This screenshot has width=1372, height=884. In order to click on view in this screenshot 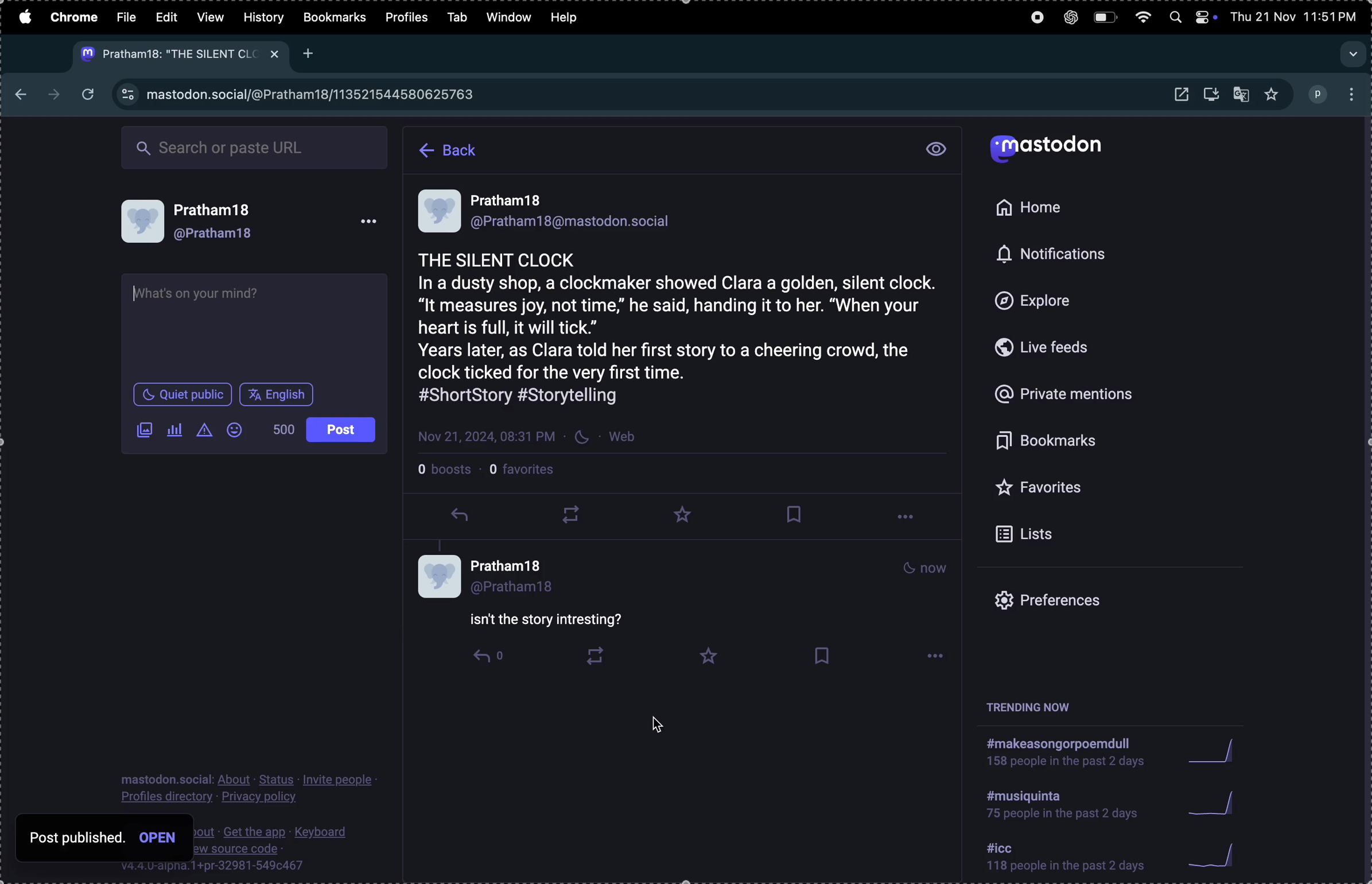, I will do `click(936, 149)`.